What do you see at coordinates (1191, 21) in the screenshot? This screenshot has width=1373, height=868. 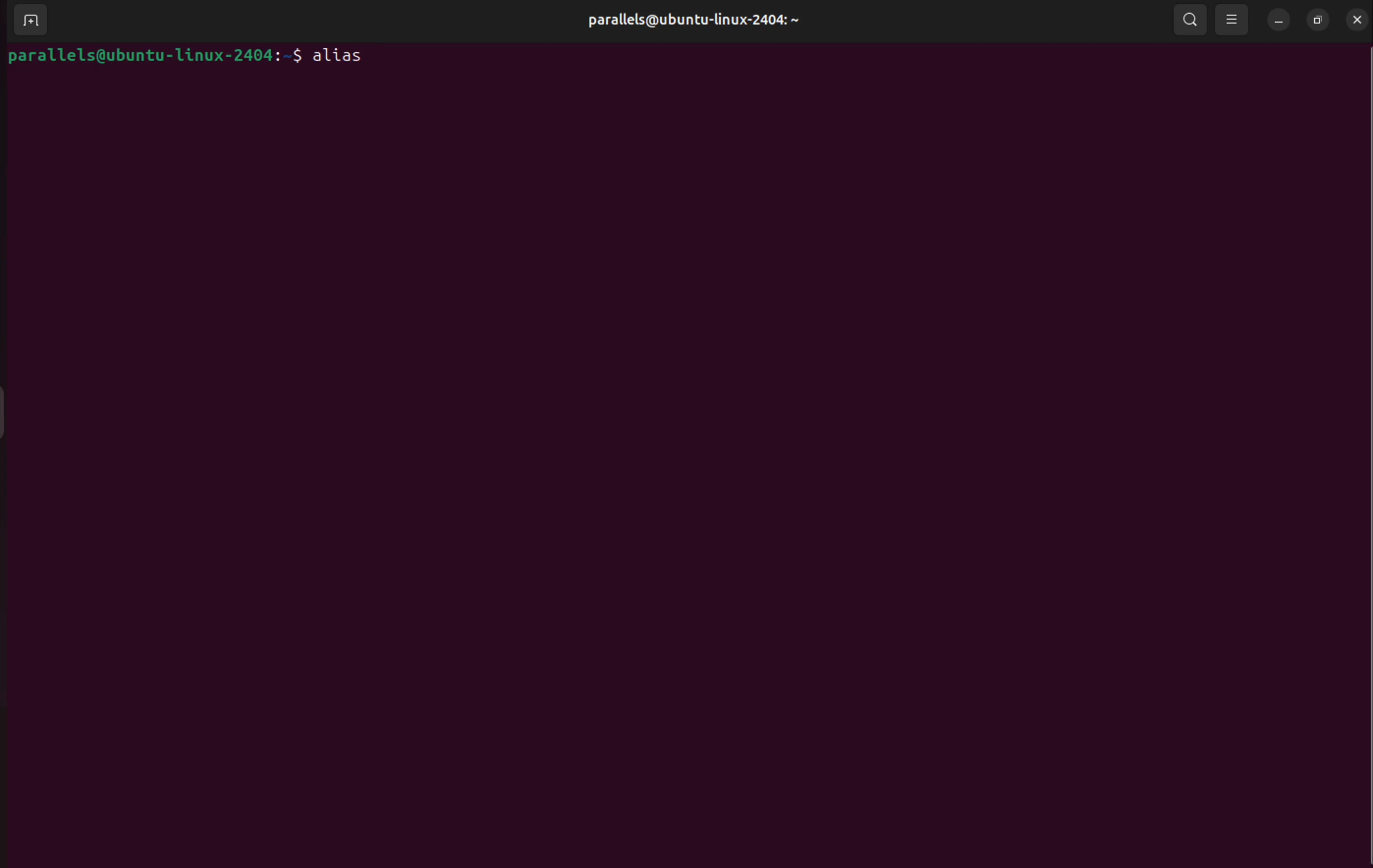 I see `search` at bounding box center [1191, 21].